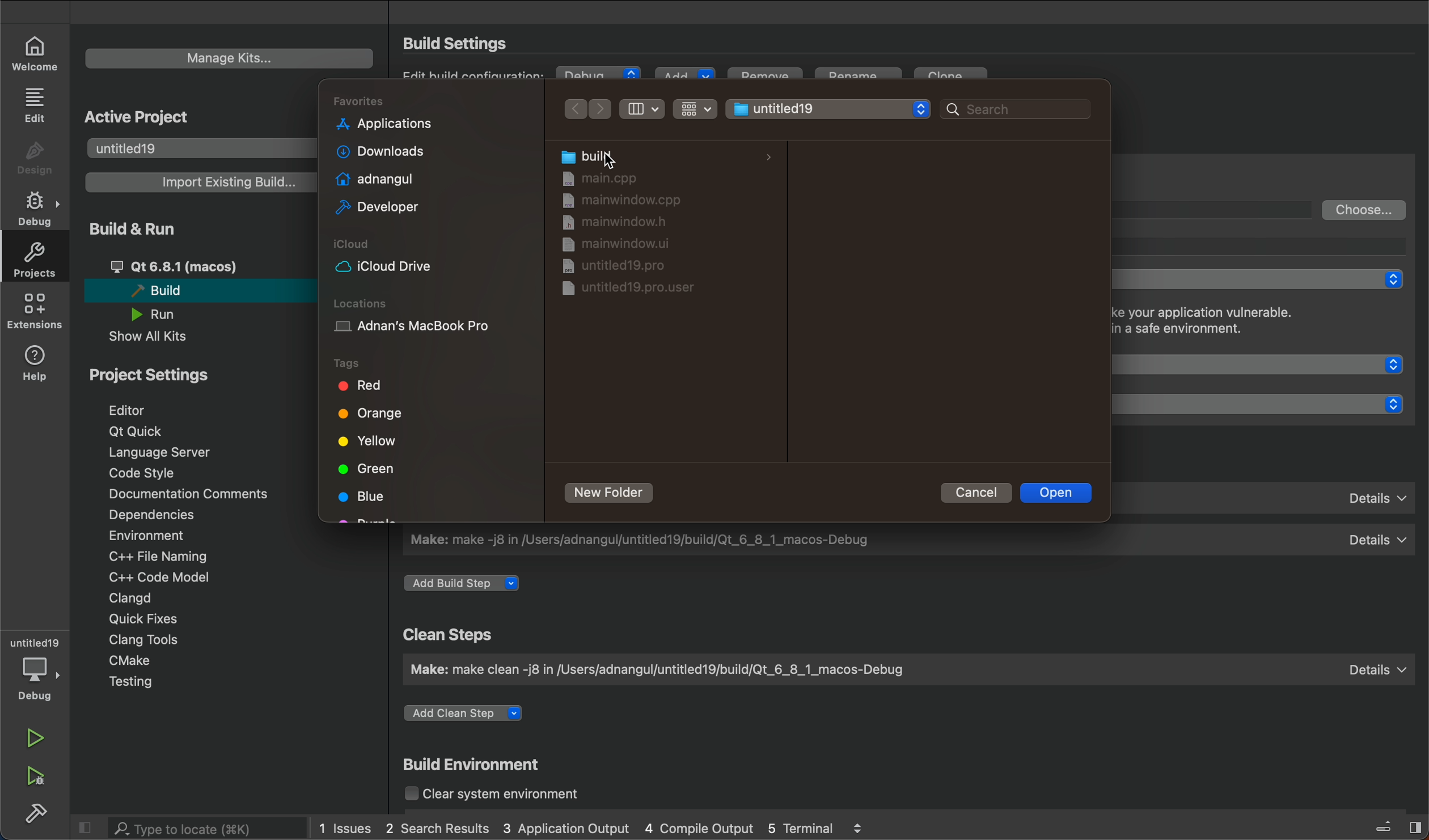 This screenshot has height=840, width=1429. I want to click on logs, so click(591, 829).